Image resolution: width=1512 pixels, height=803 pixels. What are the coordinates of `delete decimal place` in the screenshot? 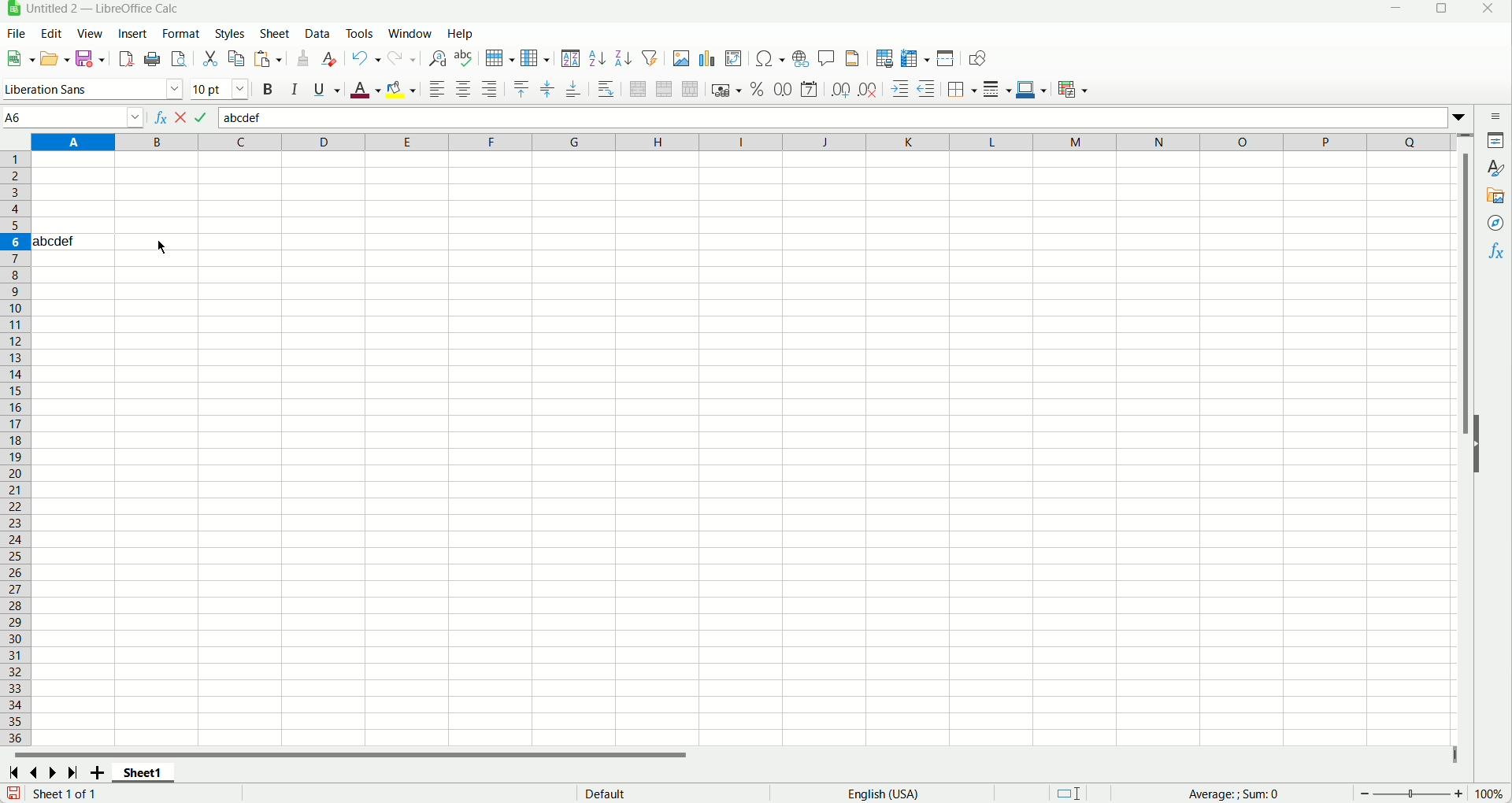 It's located at (867, 91).